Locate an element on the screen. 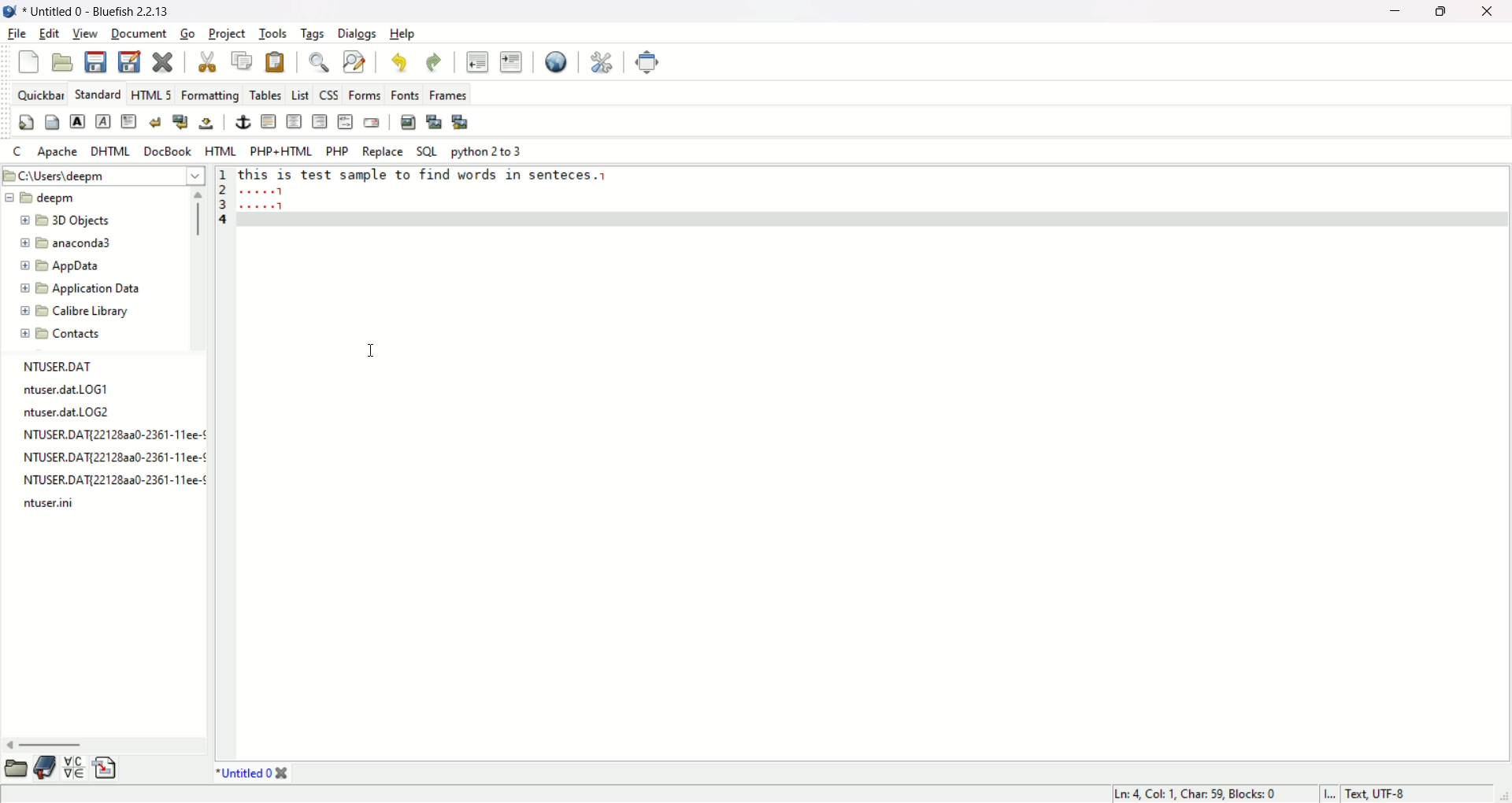 This screenshot has height=803, width=1512. document is located at coordinates (141, 34).